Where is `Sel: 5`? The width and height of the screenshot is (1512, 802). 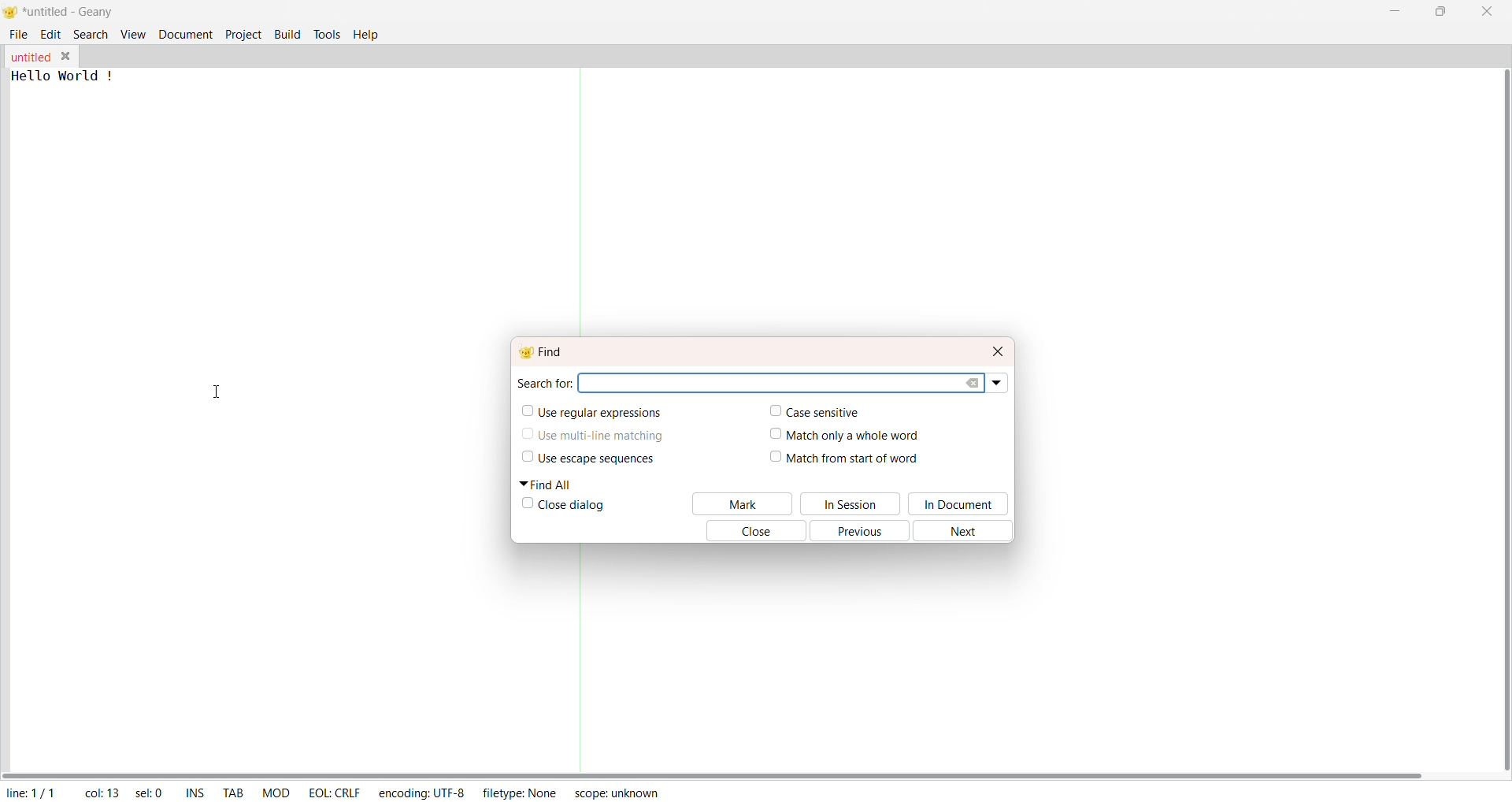
Sel: 5 is located at coordinates (148, 792).